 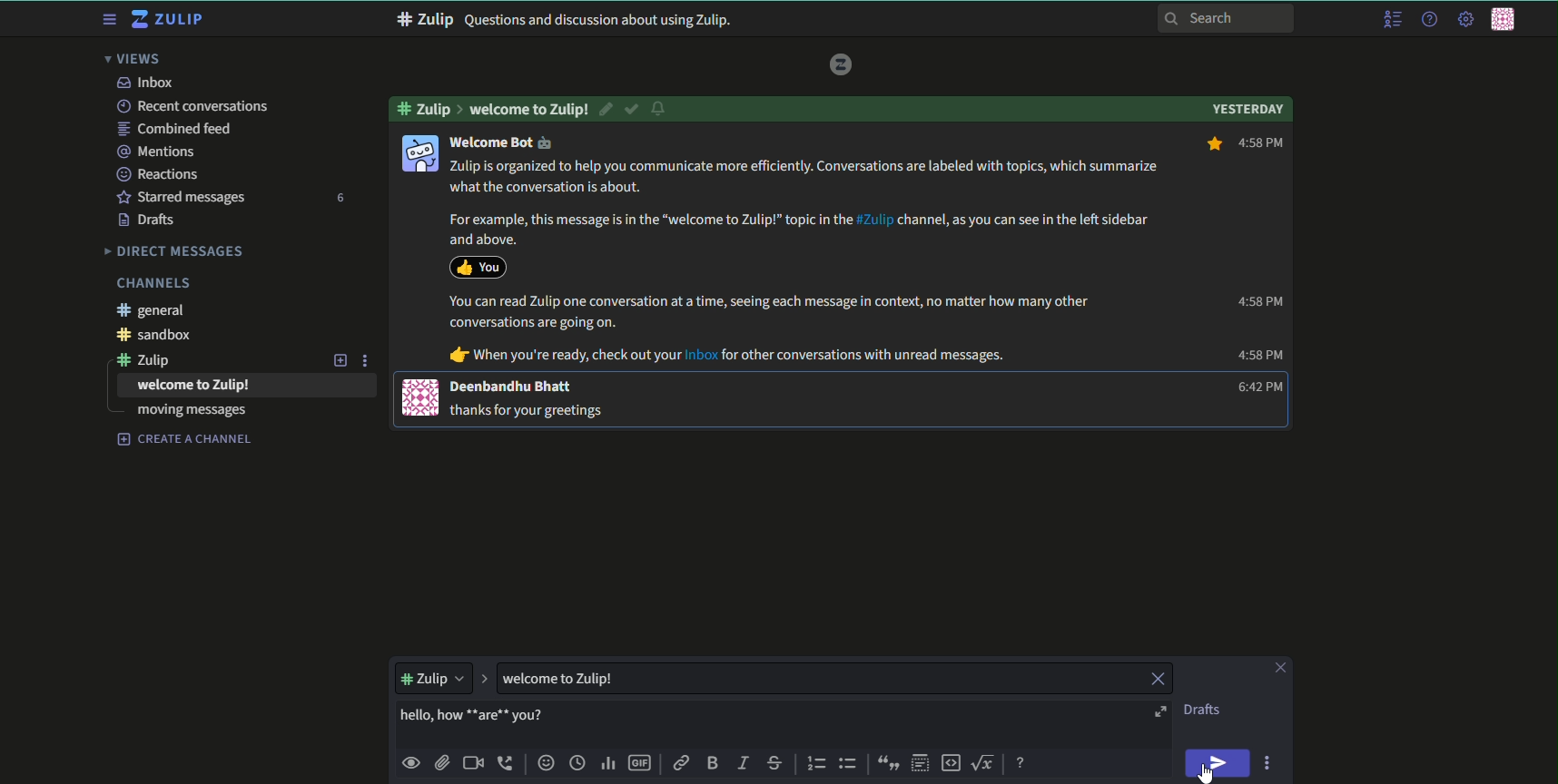 I want to click on mentions, so click(x=159, y=151).